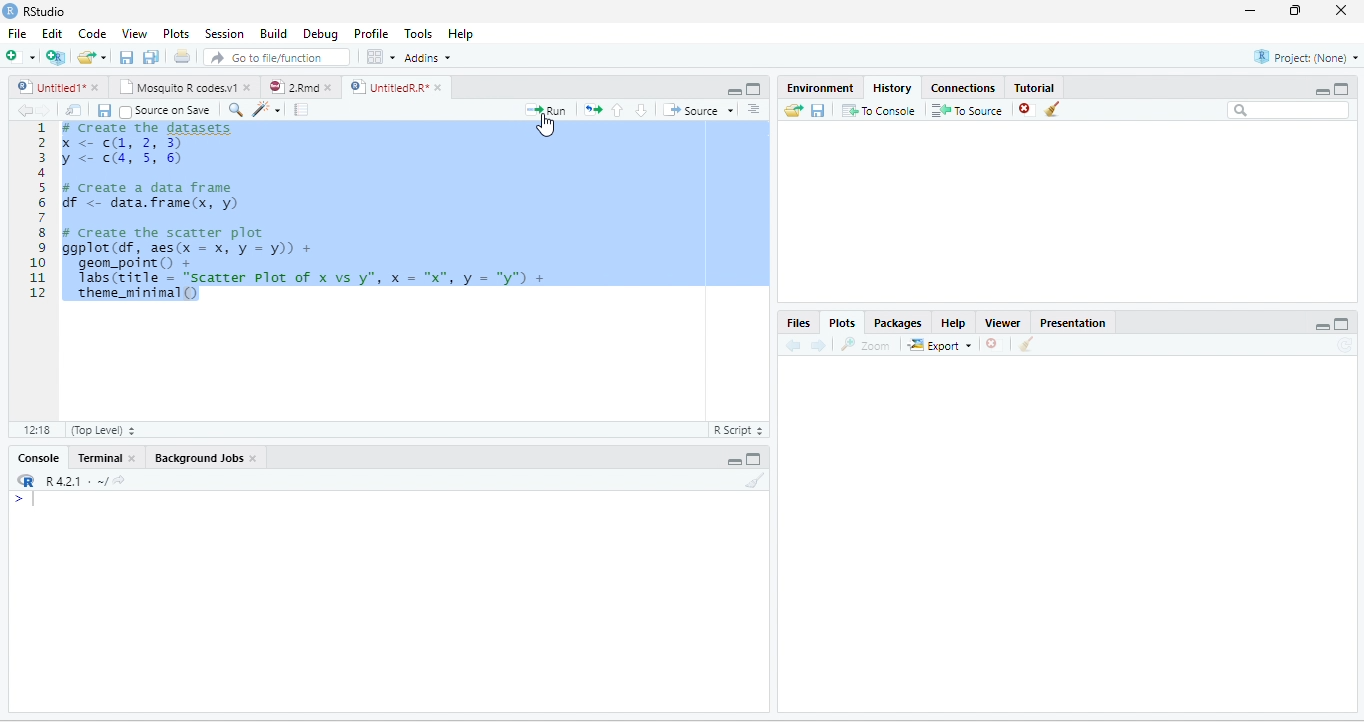 This screenshot has width=1364, height=722. I want to click on Minimize, so click(1322, 326).